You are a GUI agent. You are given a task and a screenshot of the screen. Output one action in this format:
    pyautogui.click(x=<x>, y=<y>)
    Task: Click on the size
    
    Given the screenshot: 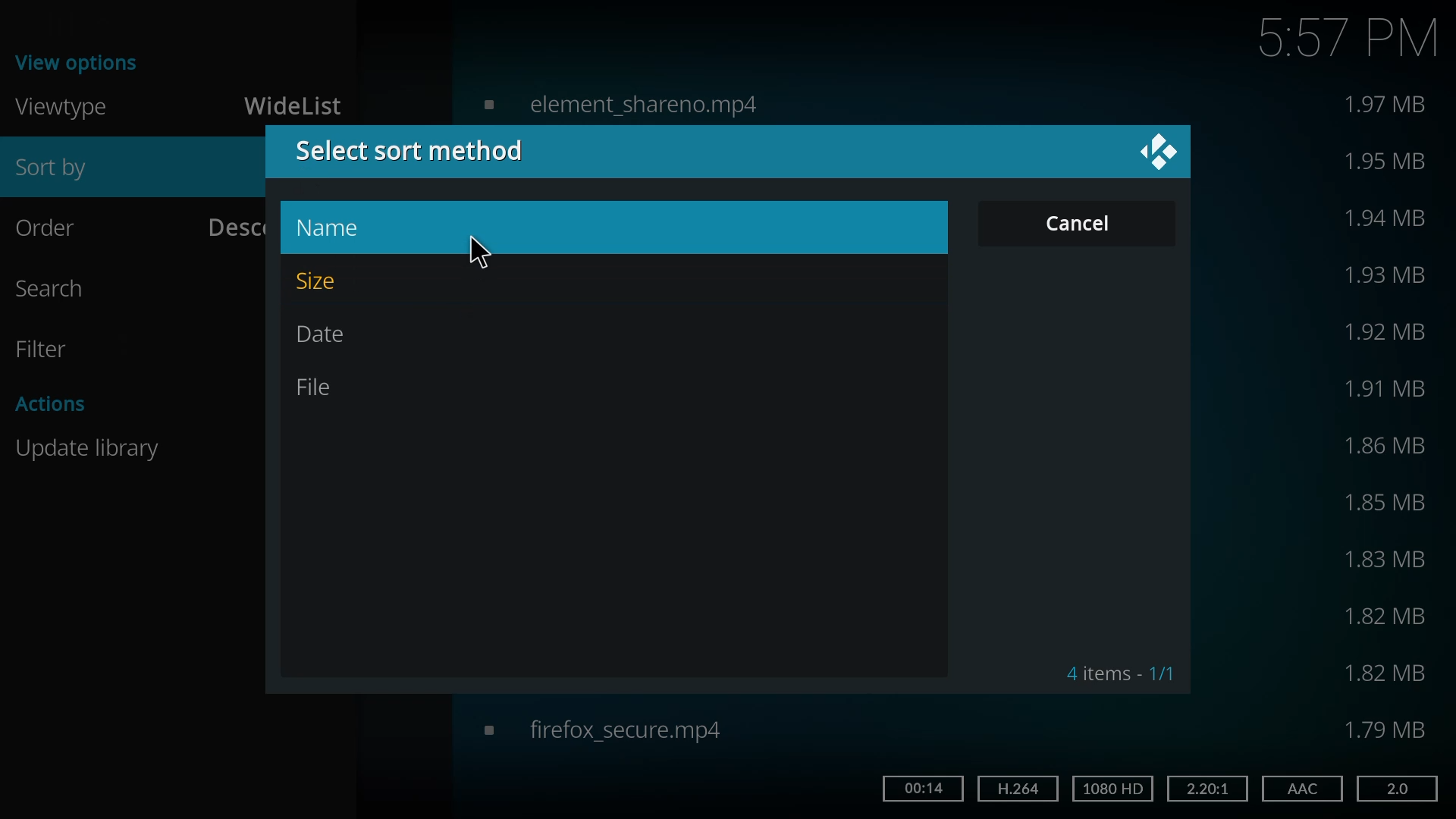 What is the action you would take?
    pyautogui.click(x=1389, y=388)
    